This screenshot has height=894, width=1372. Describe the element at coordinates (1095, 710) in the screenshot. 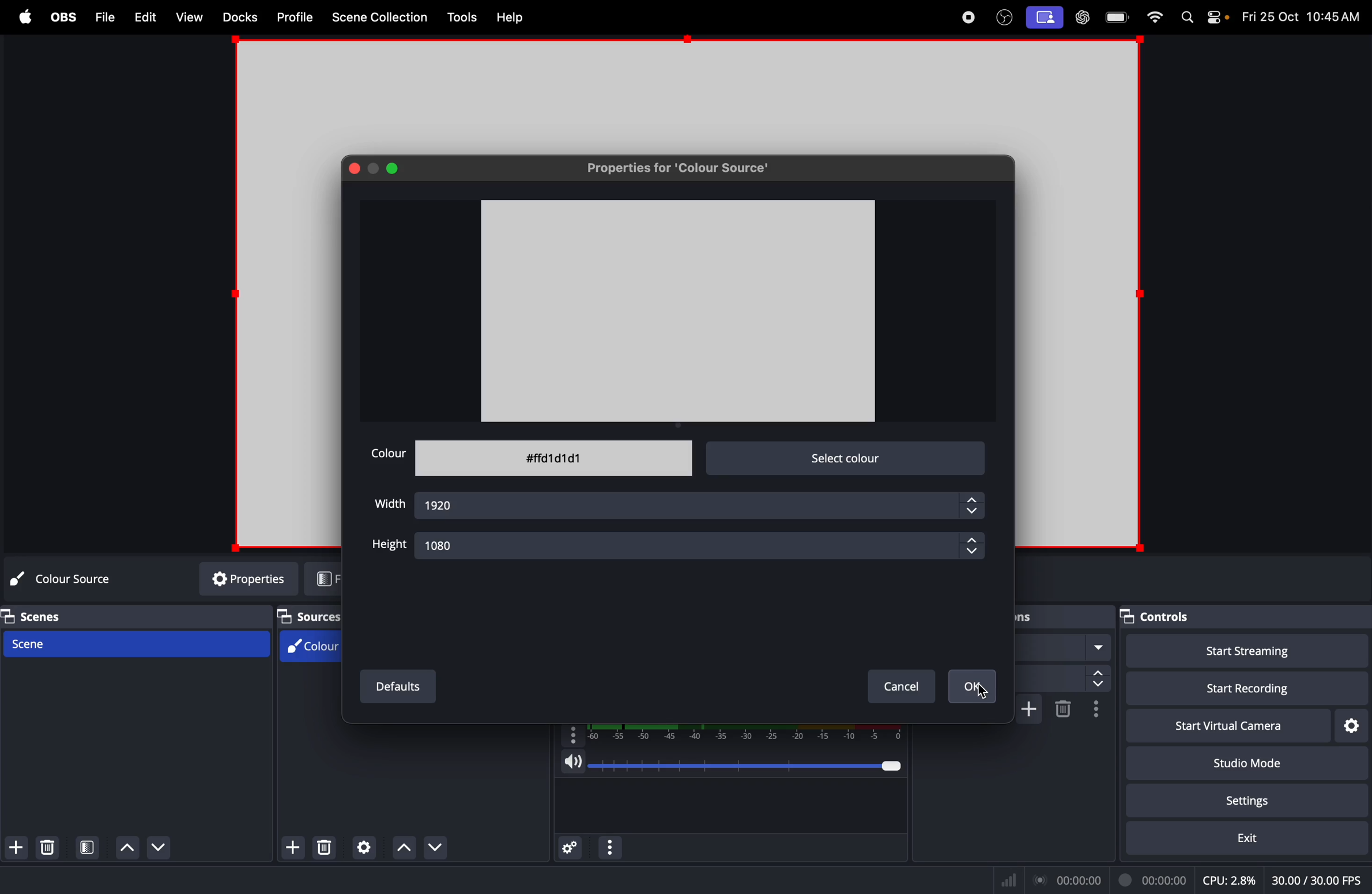

I see `transition properties` at that location.